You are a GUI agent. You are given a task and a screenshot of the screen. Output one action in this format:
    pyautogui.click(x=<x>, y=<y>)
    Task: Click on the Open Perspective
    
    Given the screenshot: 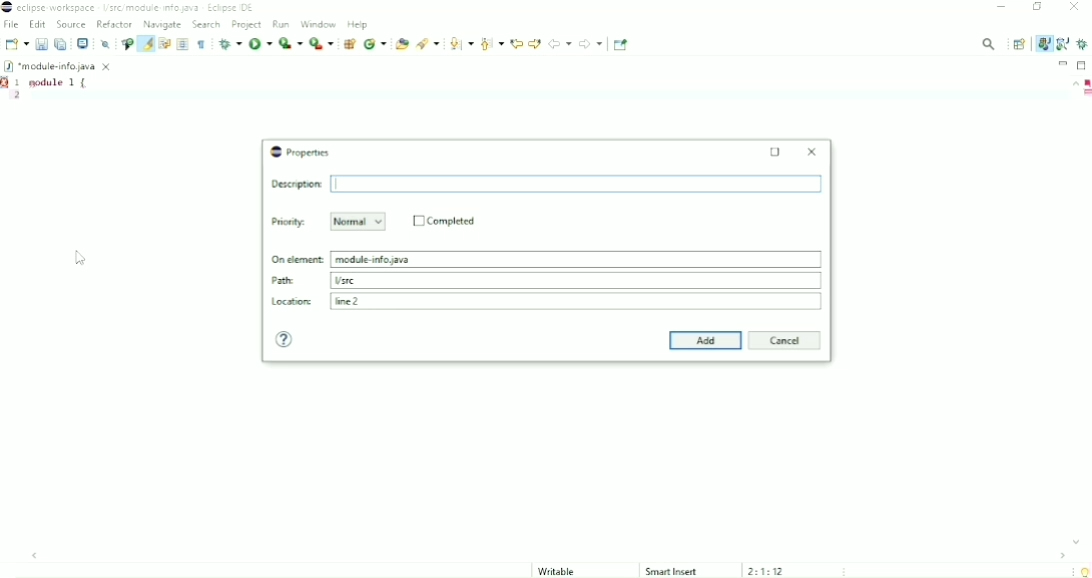 What is the action you would take?
    pyautogui.click(x=1019, y=44)
    